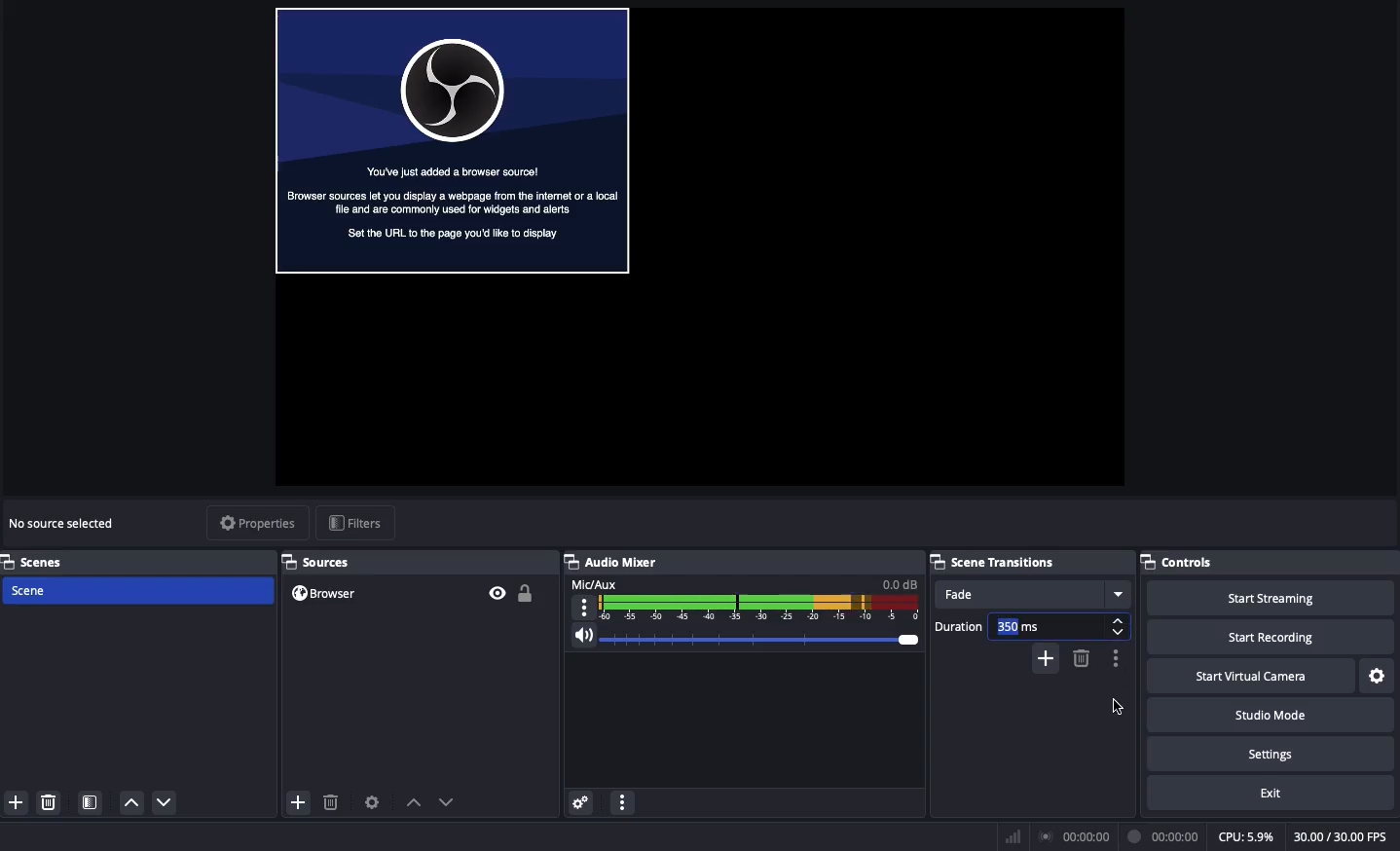  Describe the element at coordinates (614, 561) in the screenshot. I see `Audio mixer` at that location.